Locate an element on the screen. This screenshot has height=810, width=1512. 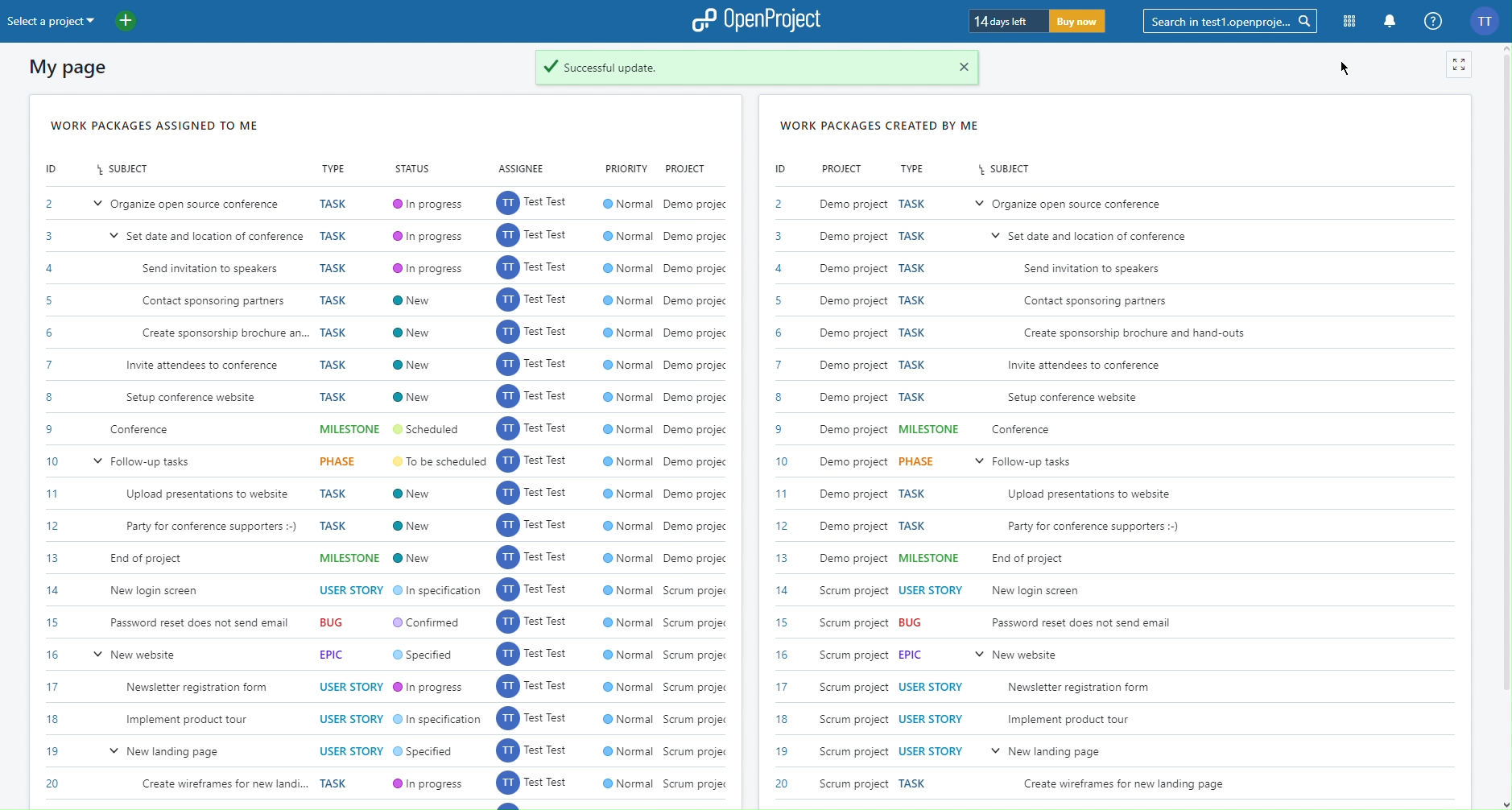
Zoom is located at coordinates (1460, 66).